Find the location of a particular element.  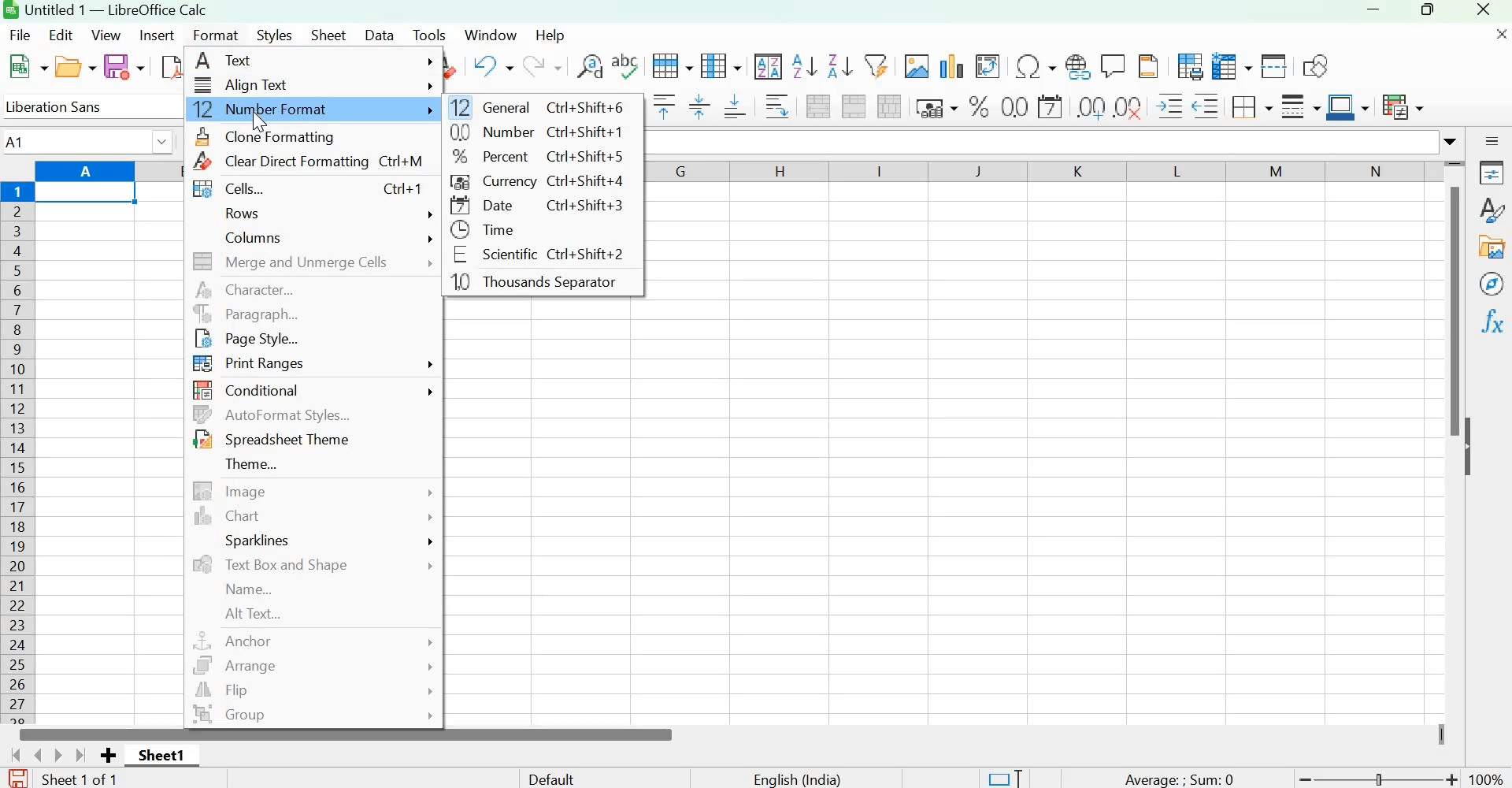

Zoom out is located at coordinates (1305, 779).